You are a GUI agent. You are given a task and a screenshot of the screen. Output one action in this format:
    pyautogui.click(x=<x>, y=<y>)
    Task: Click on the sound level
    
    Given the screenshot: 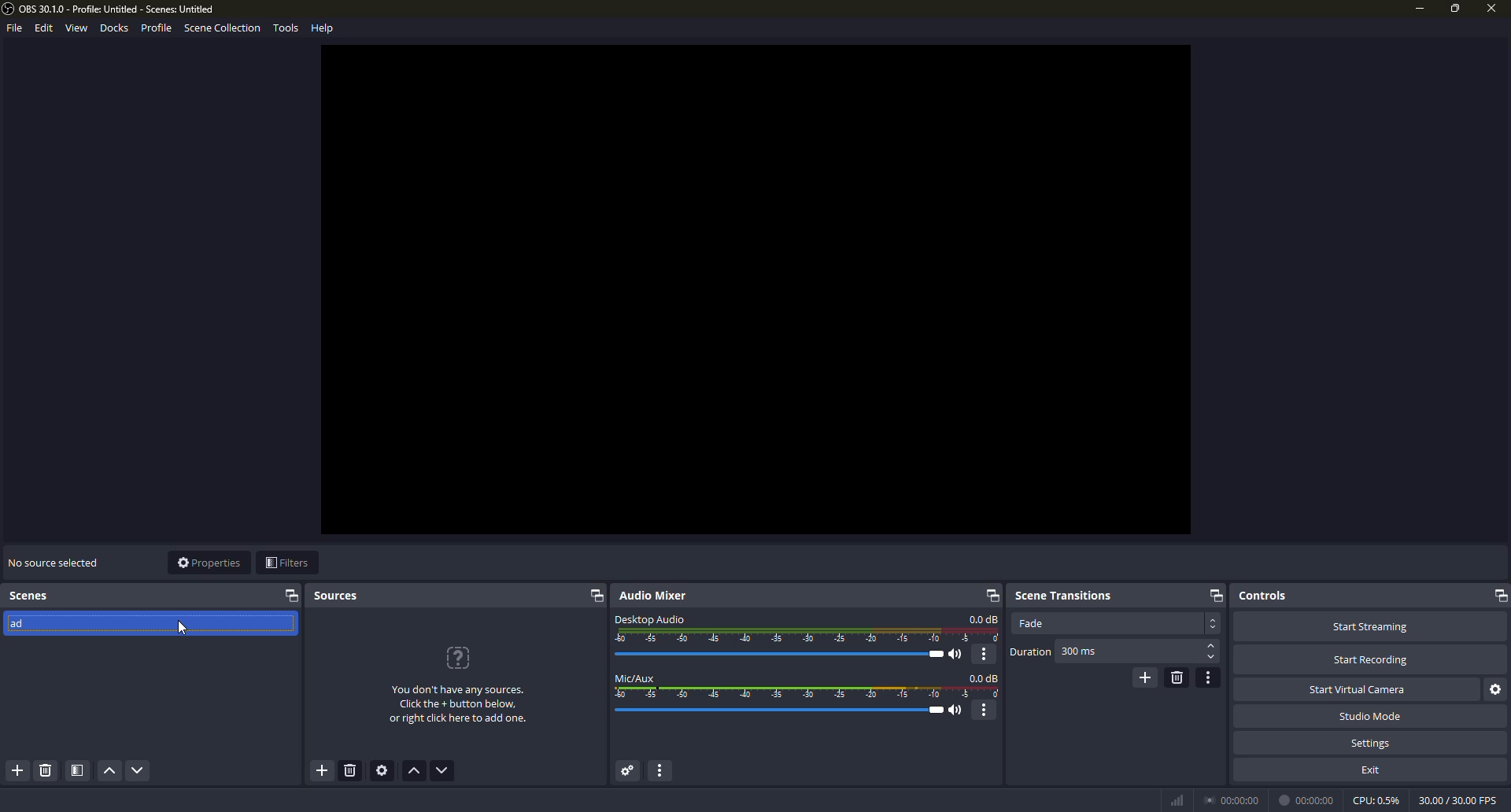 What is the action you would take?
    pyautogui.click(x=783, y=710)
    